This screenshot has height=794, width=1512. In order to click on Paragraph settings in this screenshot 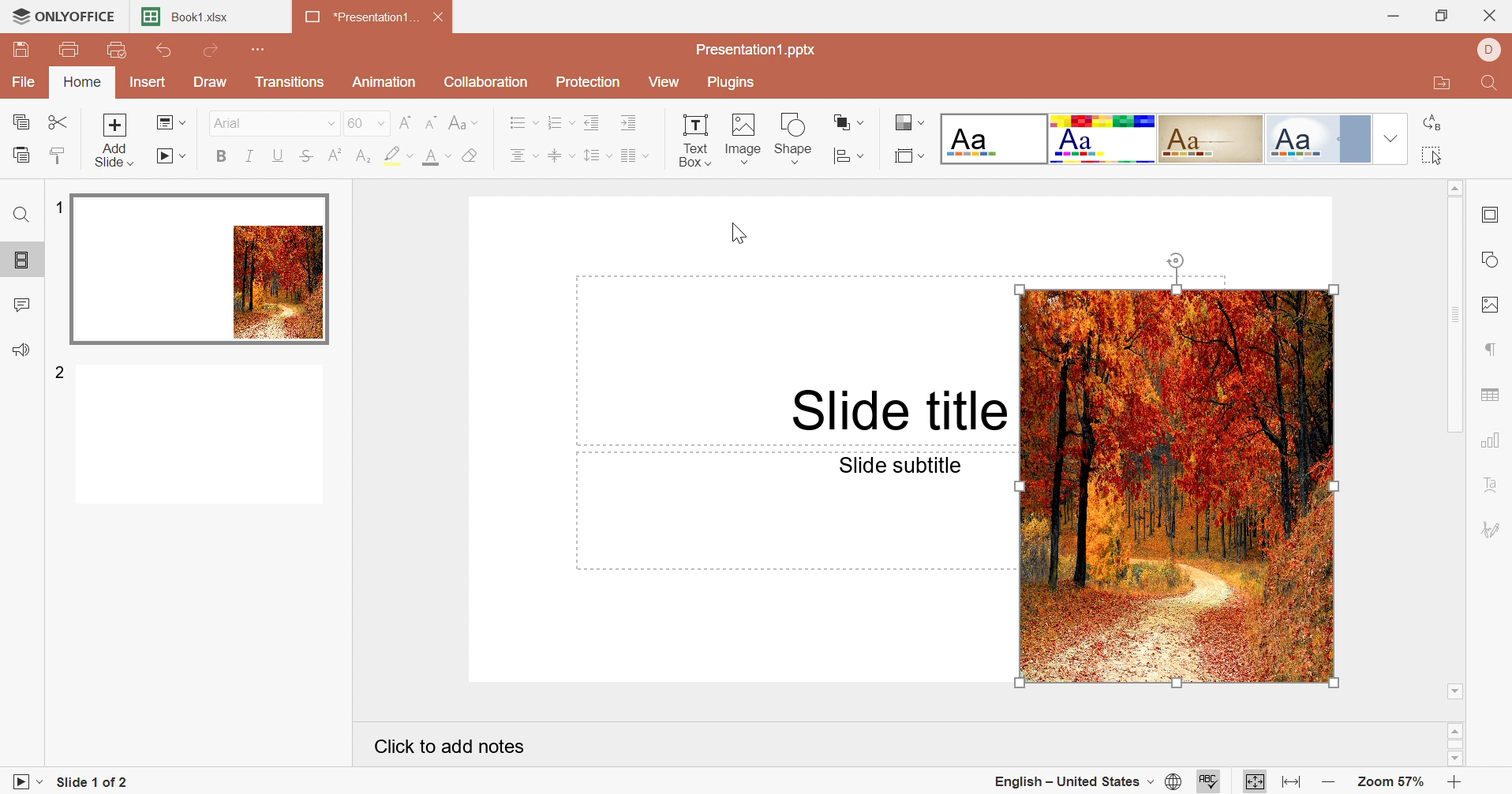, I will do `click(1488, 347)`.